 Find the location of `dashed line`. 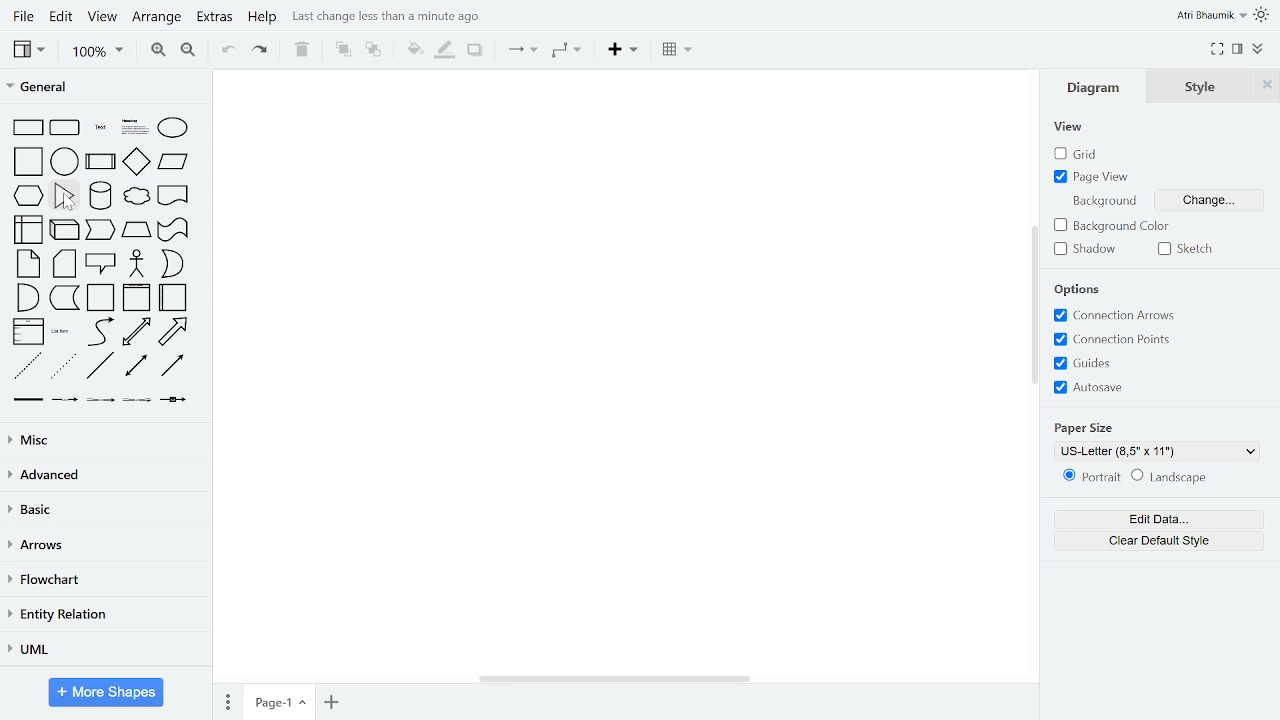

dashed line is located at coordinates (27, 367).